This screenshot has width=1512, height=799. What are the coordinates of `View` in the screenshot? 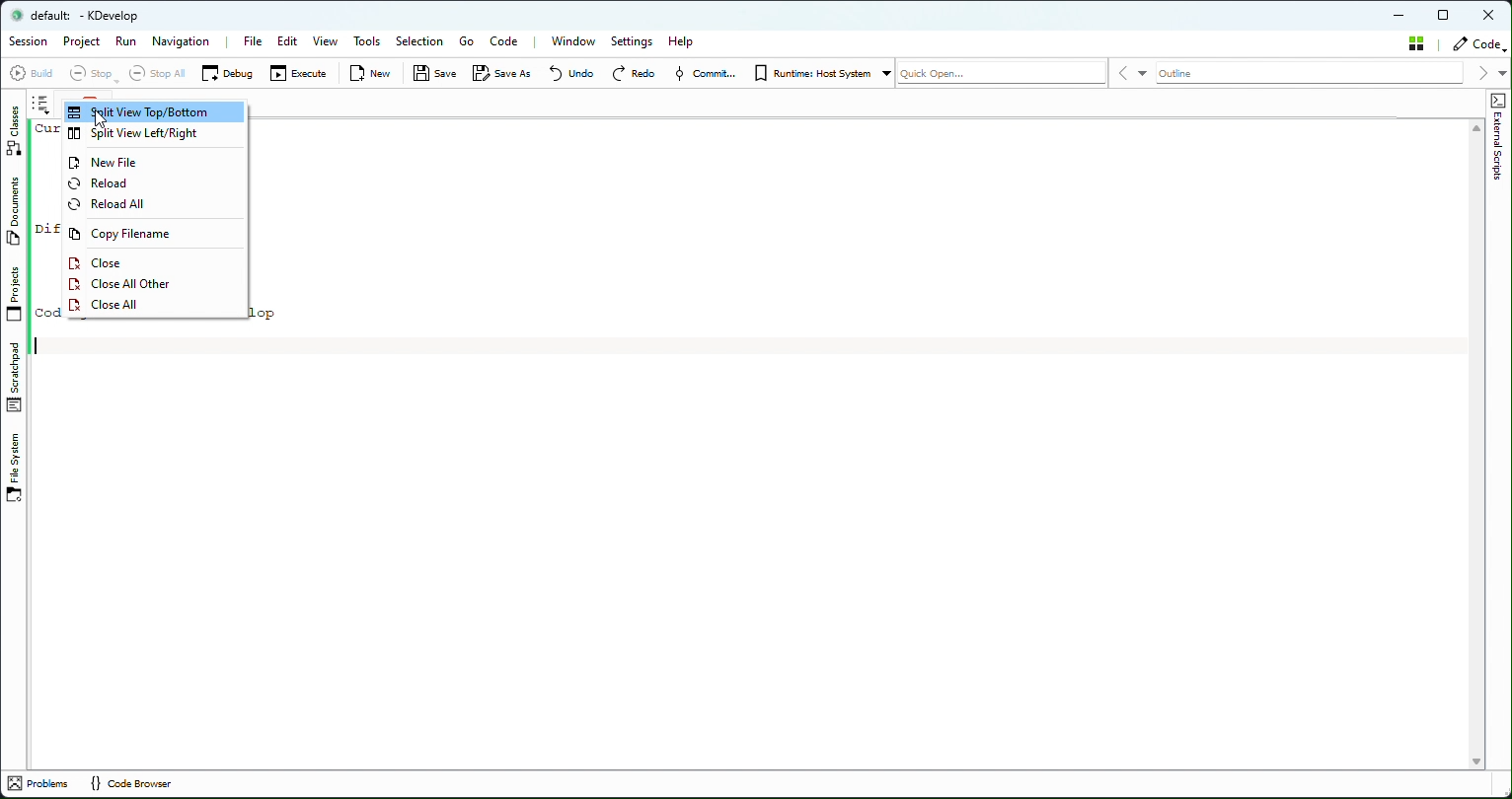 It's located at (327, 42).